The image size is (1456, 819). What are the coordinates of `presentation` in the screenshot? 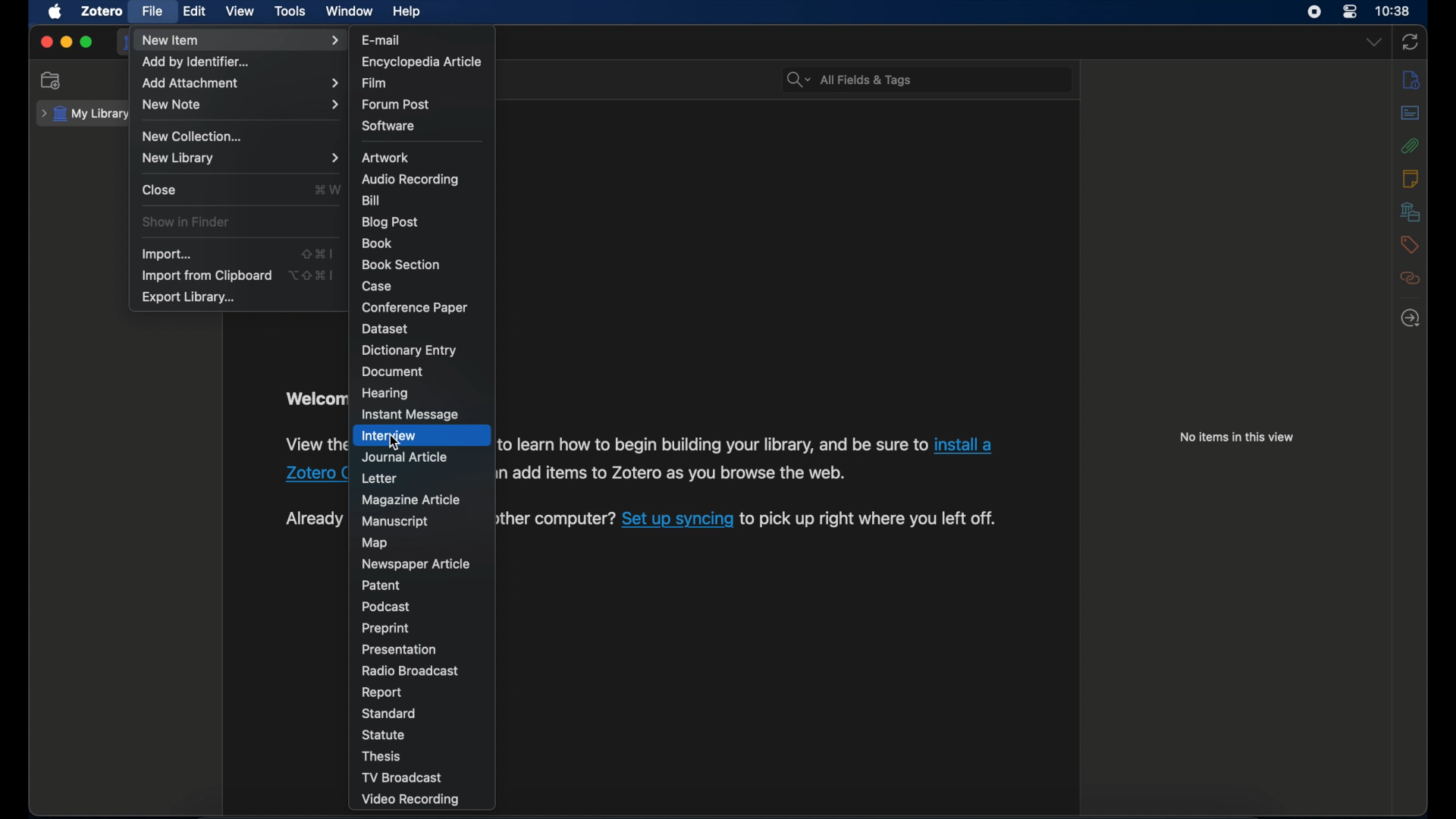 It's located at (400, 649).